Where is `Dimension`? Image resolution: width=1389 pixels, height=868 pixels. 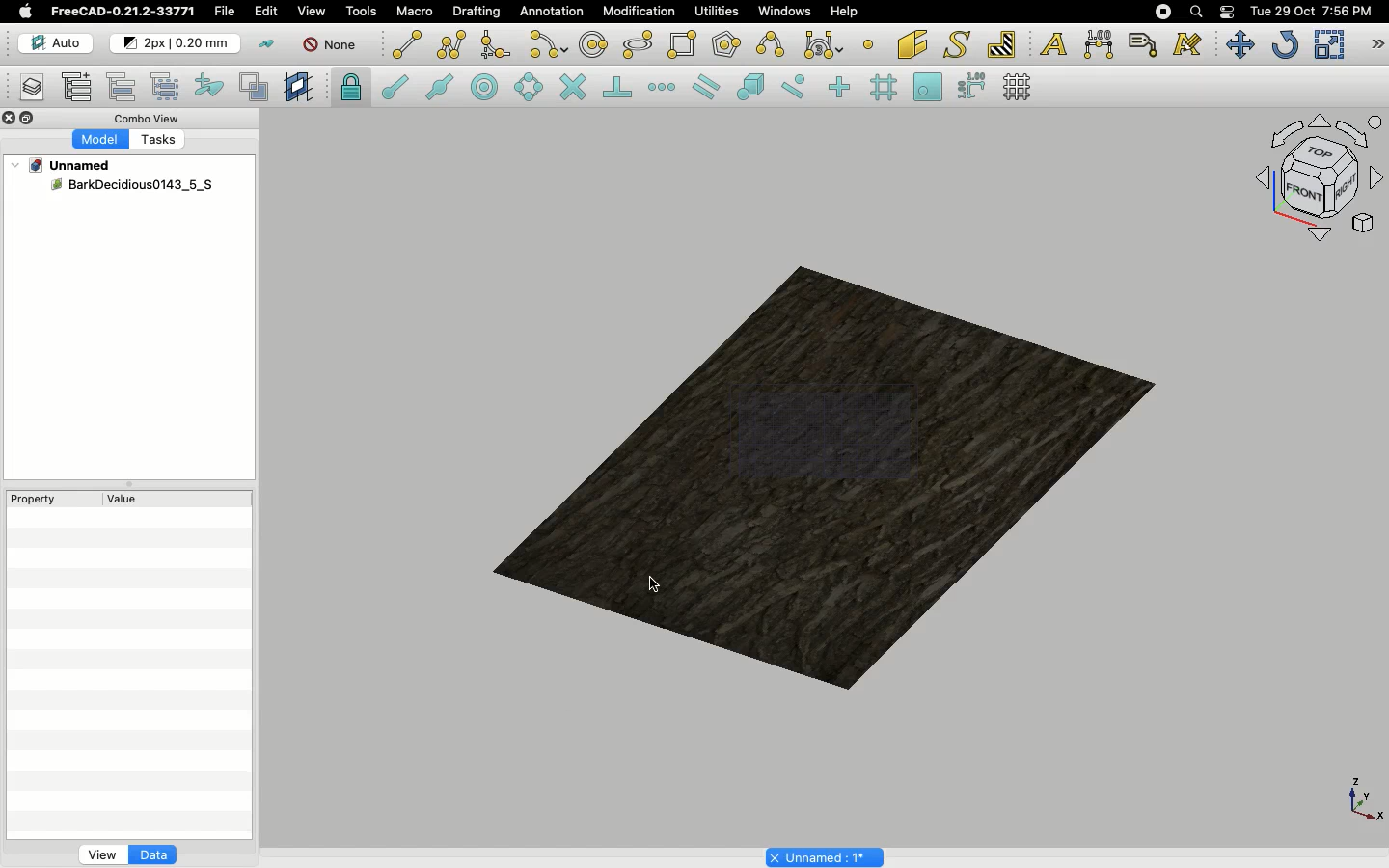 Dimension is located at coordinates (1101, 44).